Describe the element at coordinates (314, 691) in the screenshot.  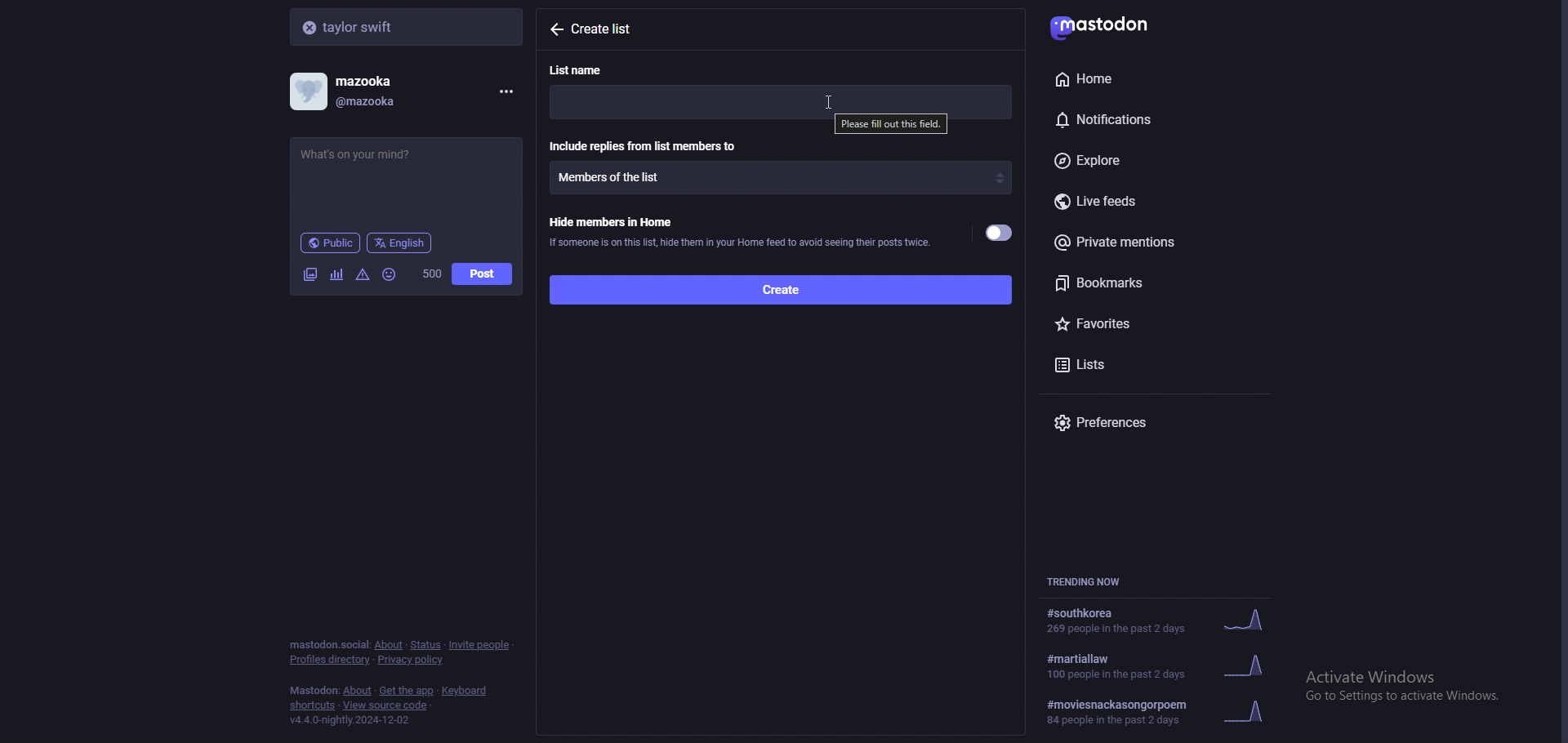
I see `mastodon` at that location.